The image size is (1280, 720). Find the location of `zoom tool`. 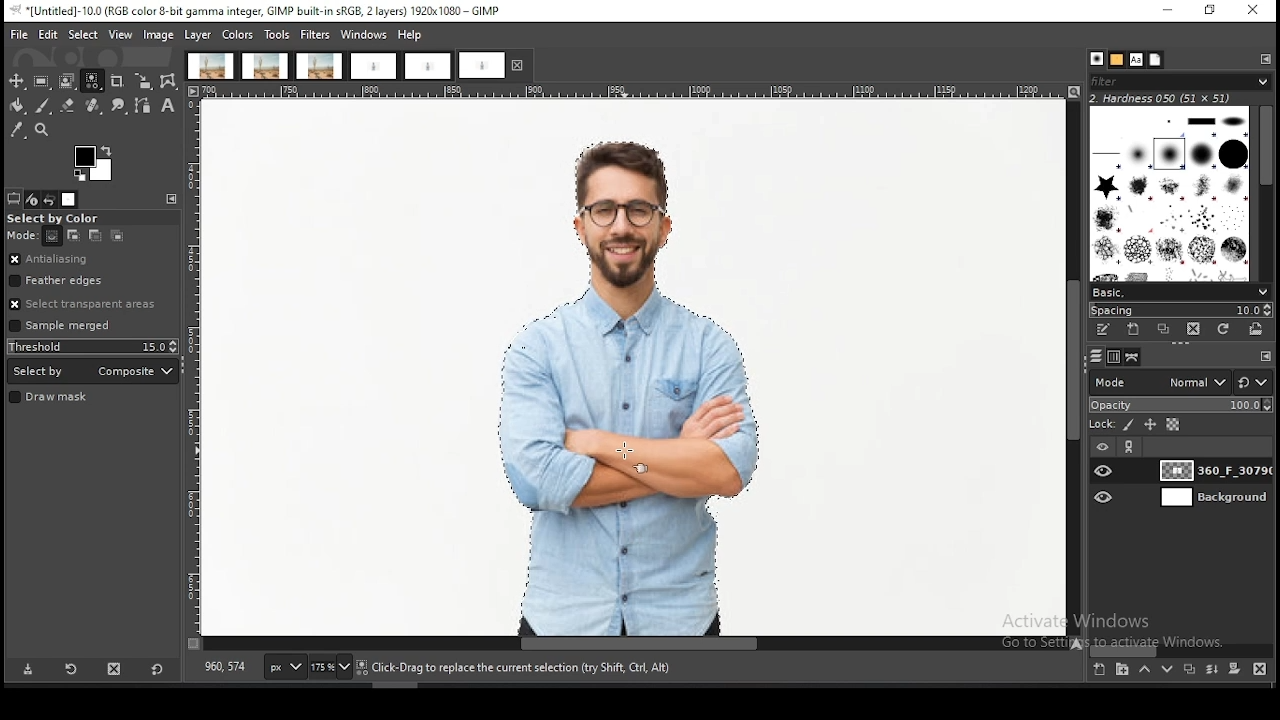

zoom tool is located at coordinates (40, 128).